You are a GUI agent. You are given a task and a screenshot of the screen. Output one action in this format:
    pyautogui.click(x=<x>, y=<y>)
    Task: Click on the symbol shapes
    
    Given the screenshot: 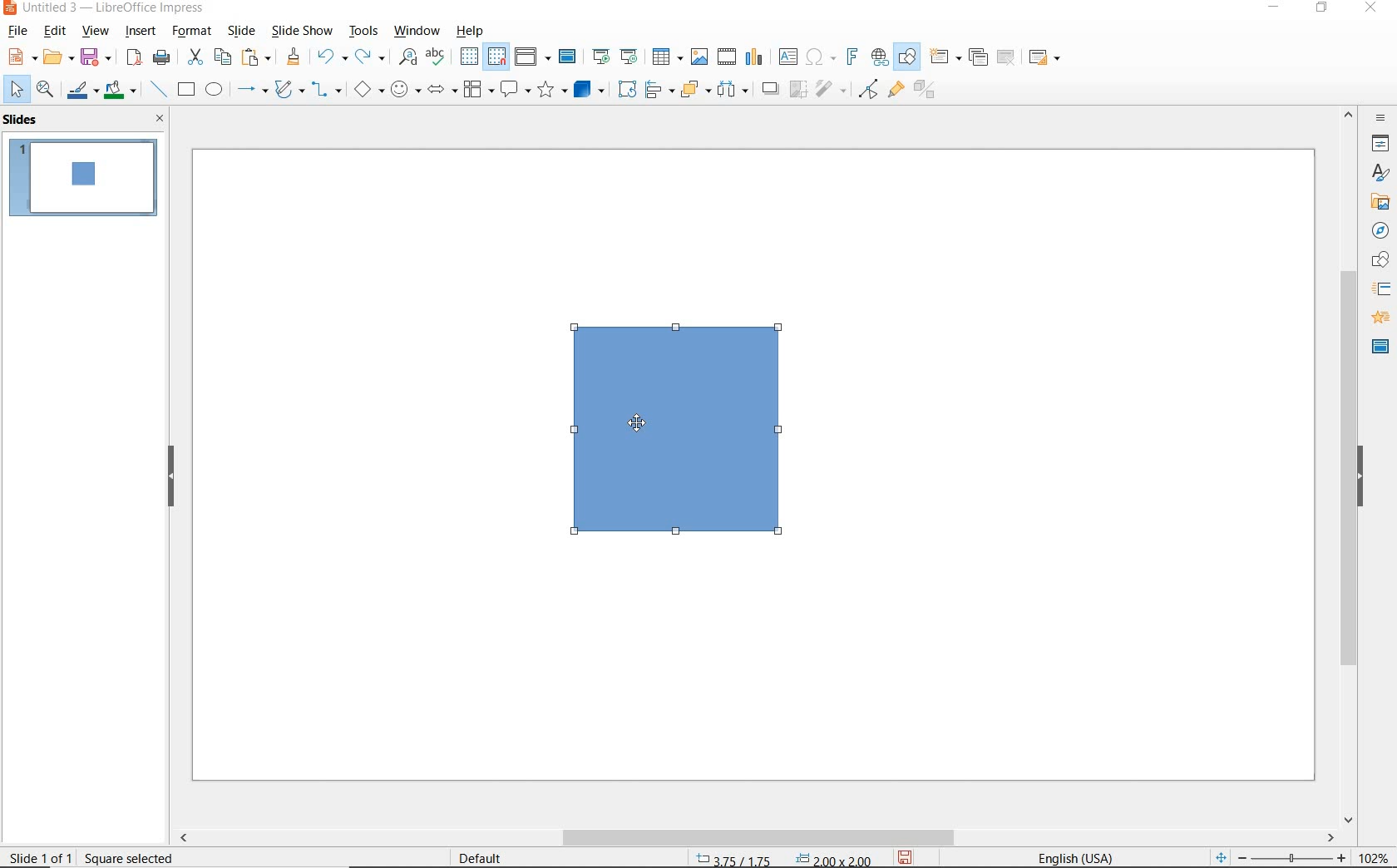 What is the action you would take?
    pyautogui.click(x=405, y=91)
    